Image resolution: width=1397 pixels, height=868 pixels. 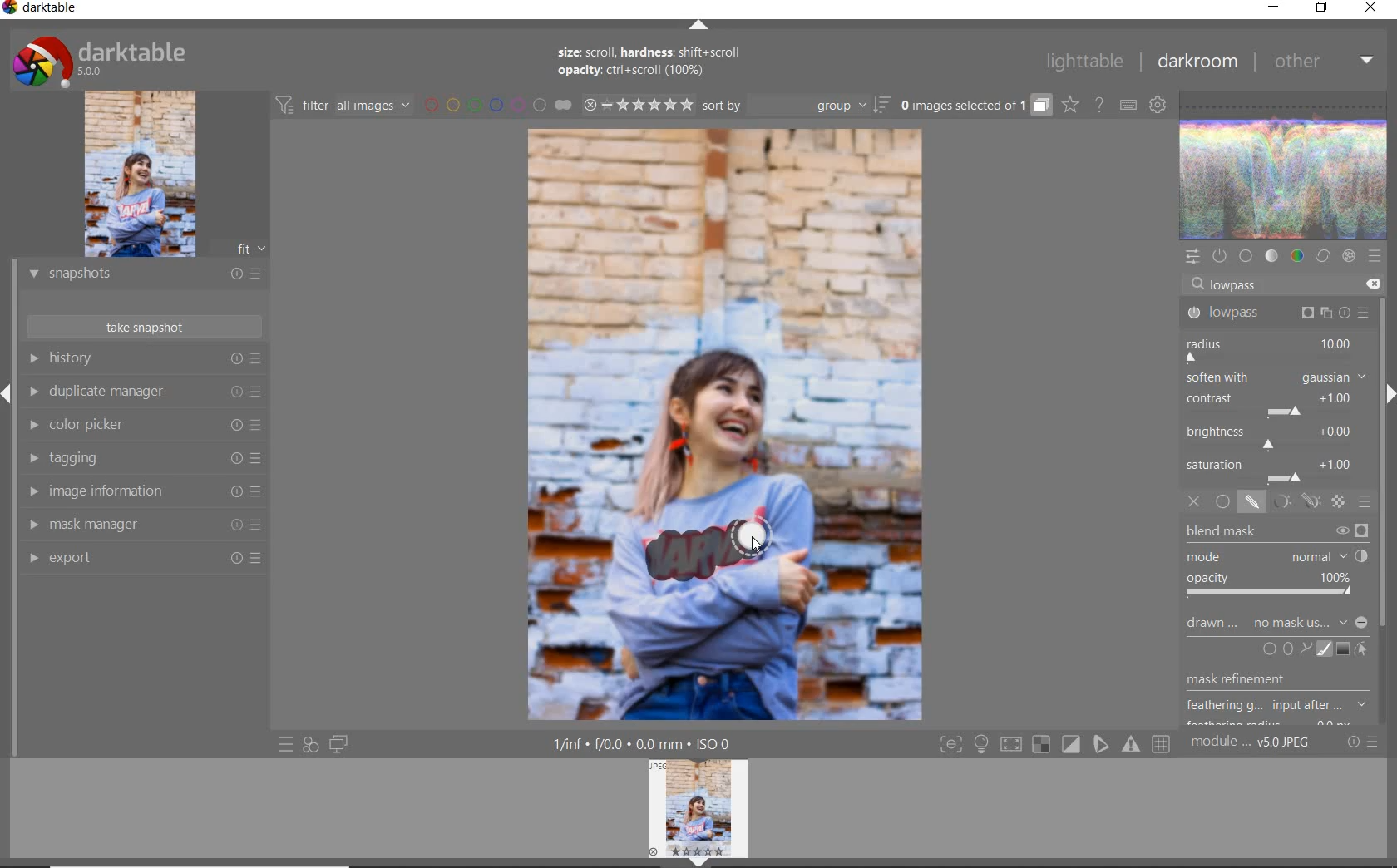 What do you see at coordinates (638, 104) in the screenshot?
I see `range ratings for selected images` at bounding box center [638, 104].